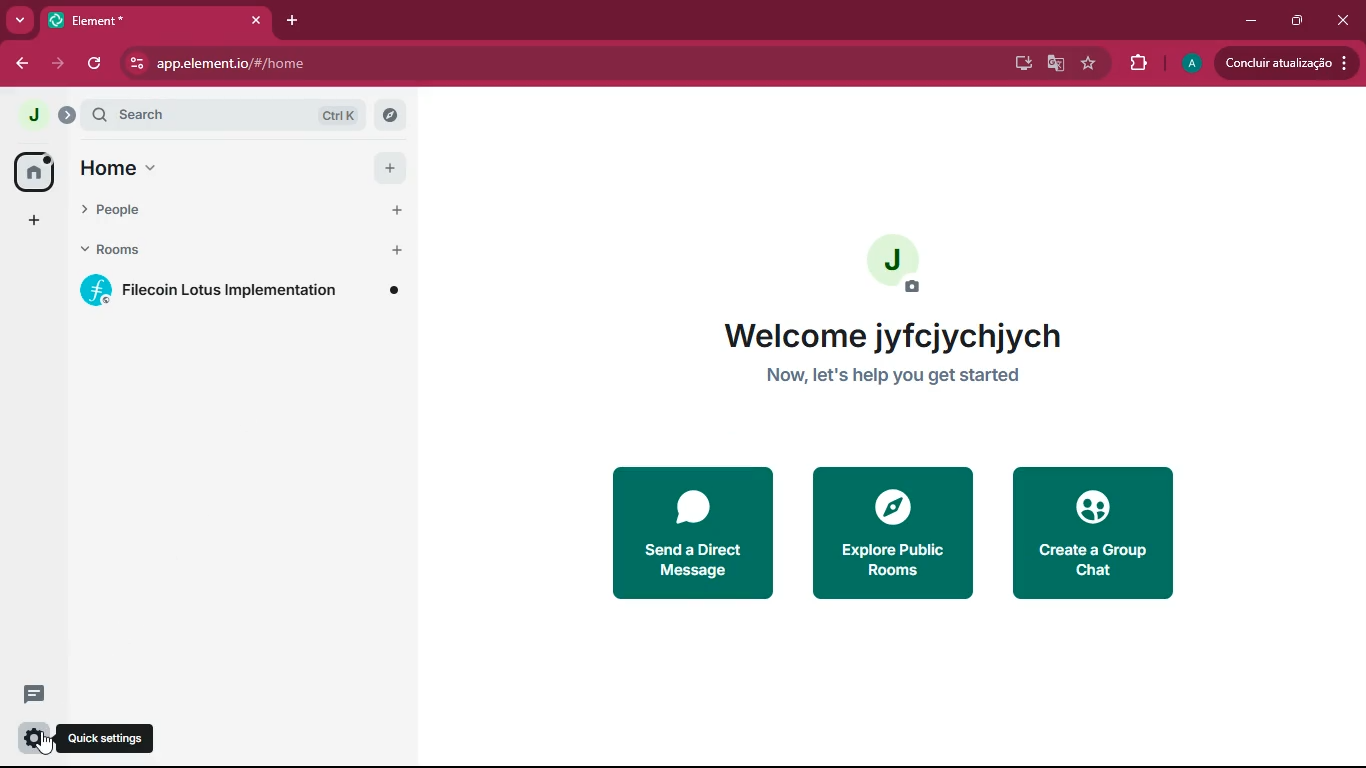  What do you see at coordinates (890, 332) in the screenshot?
I see `welcome jyfcjychjych` at bounding box center [890, 332].